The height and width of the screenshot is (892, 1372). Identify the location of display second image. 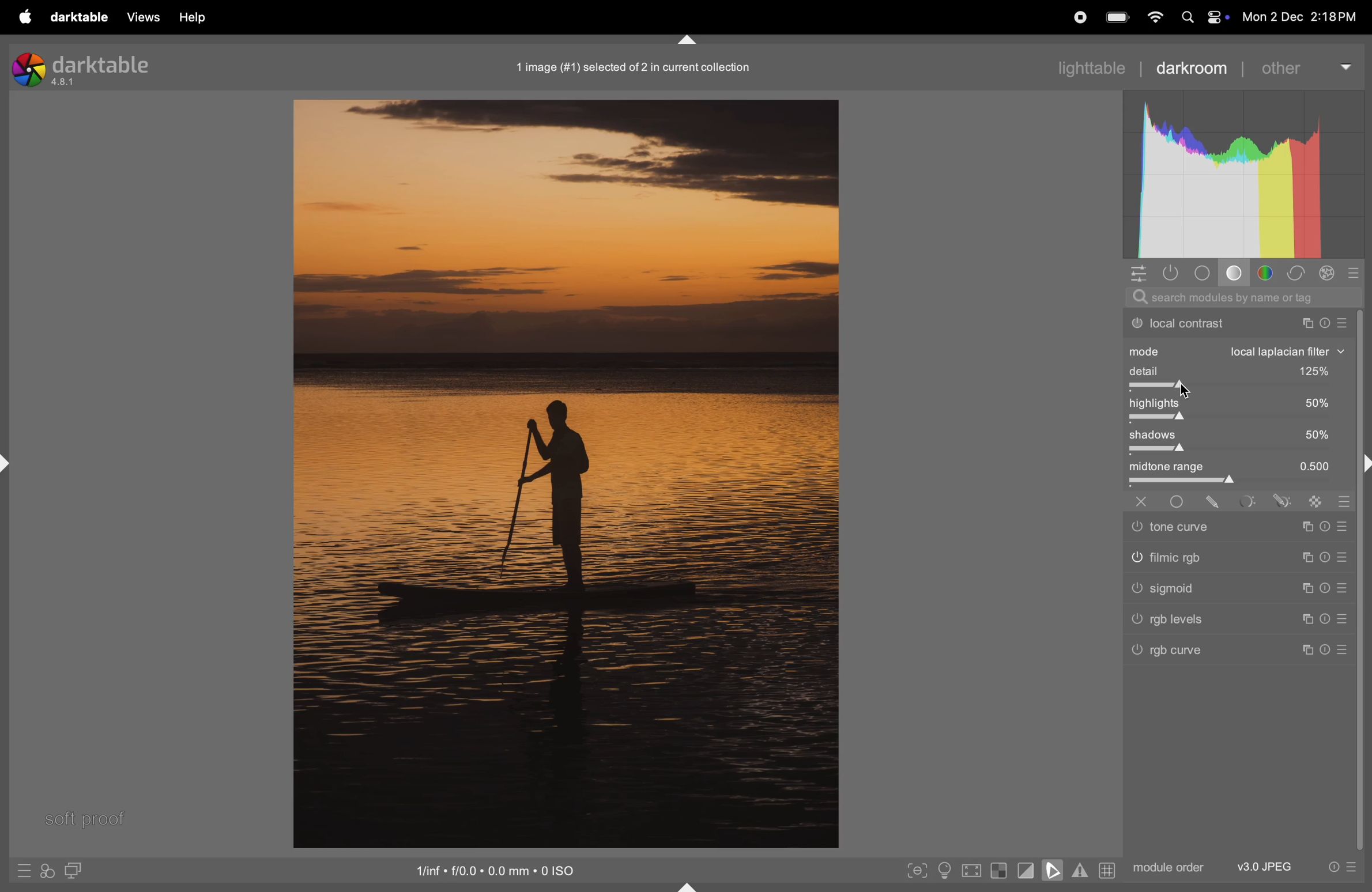
(74, 870).